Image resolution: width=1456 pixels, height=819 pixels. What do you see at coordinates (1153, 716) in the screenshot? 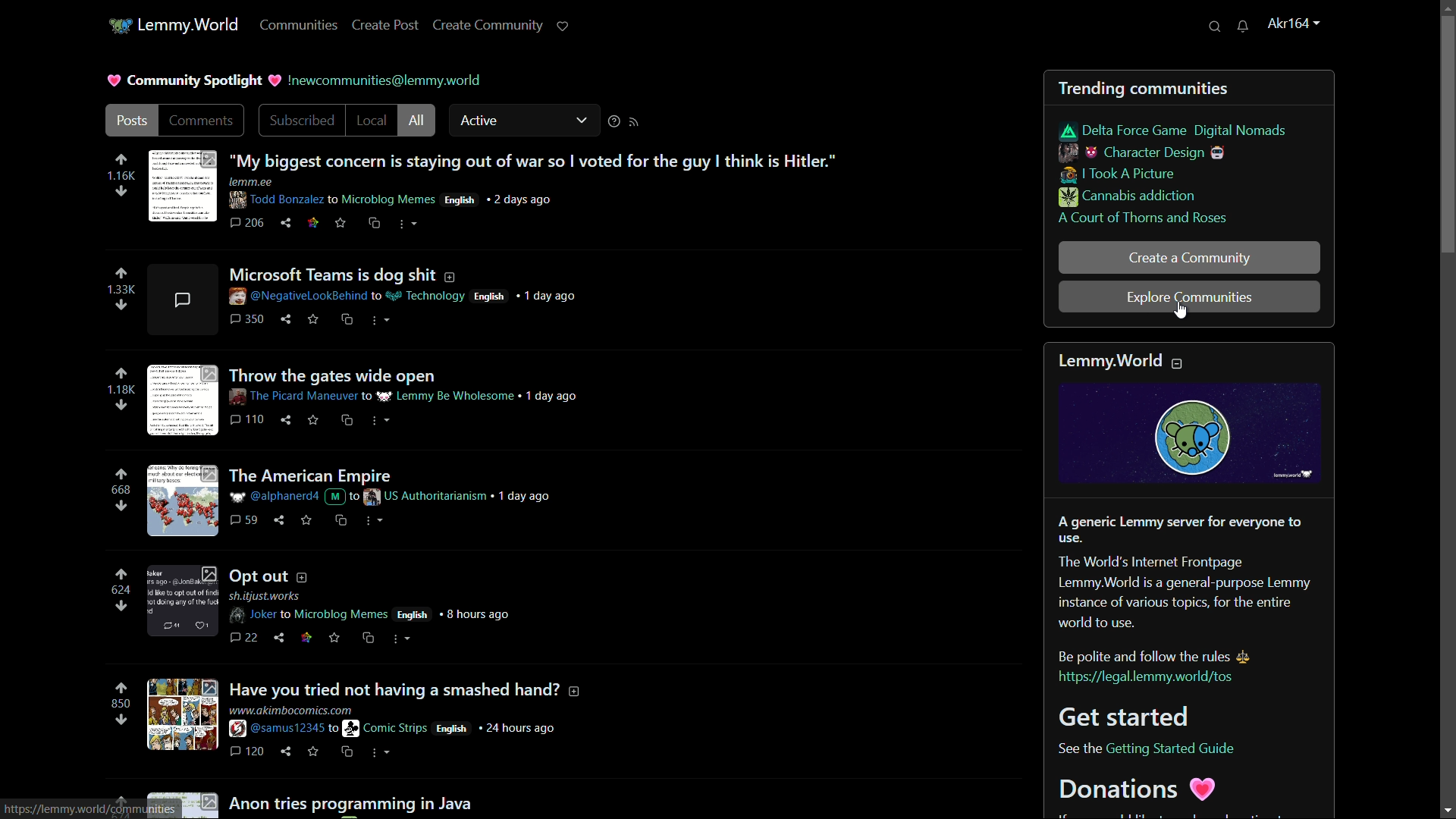
I see `get stared` at bounding box center [1153, 716].